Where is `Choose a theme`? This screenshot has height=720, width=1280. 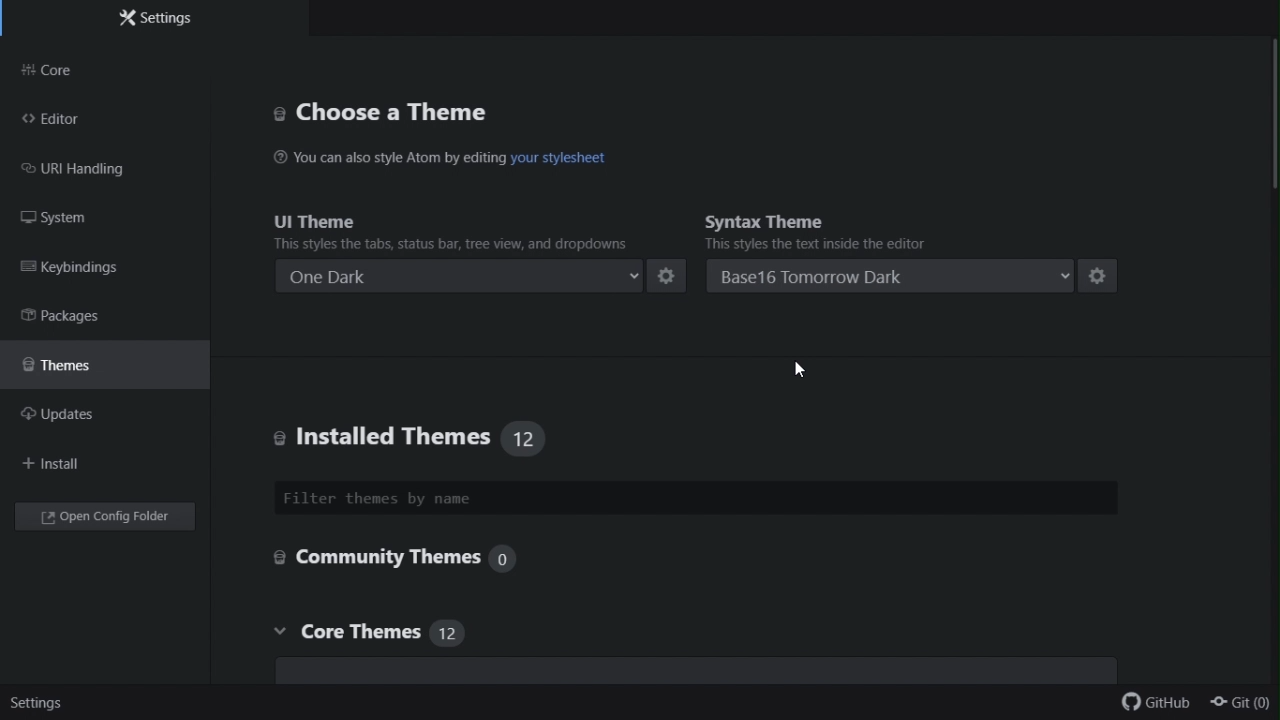
Choose a theme is located at coordinates (393, 115).